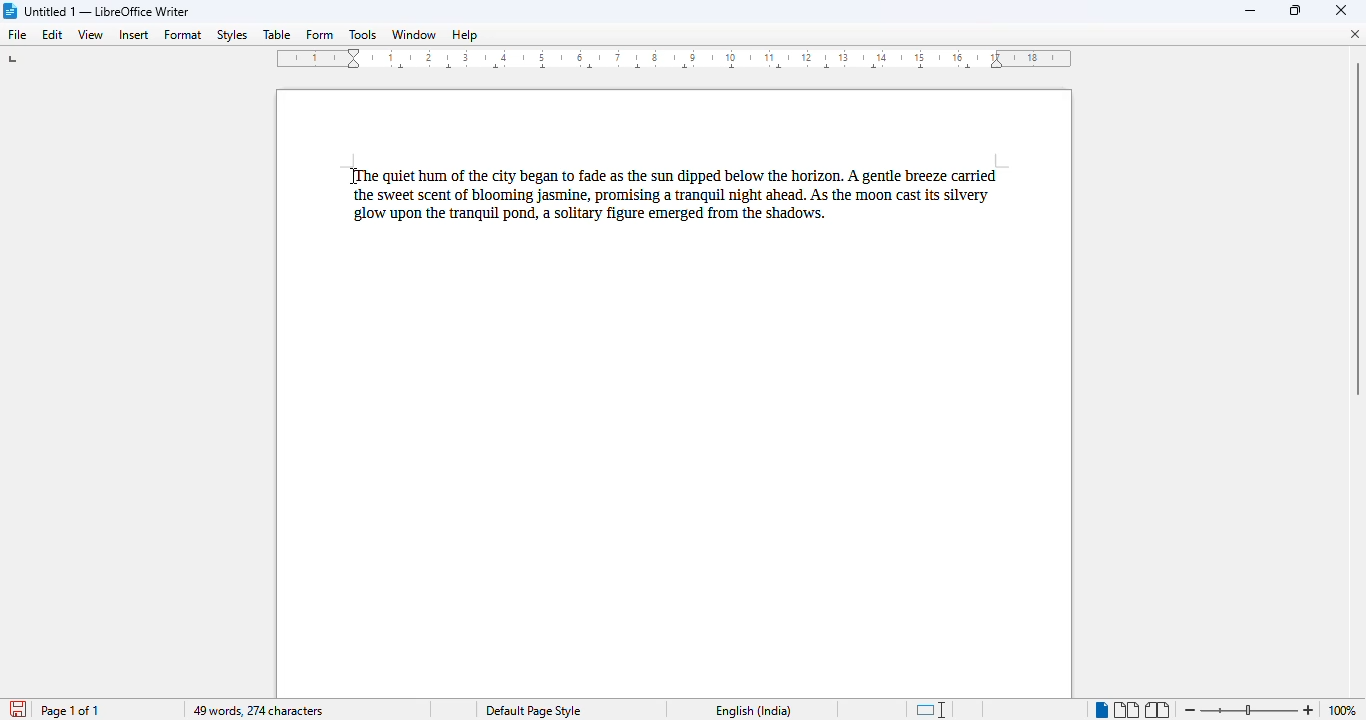  I want to click on 49 words, 274 characters, so click(257, 711).